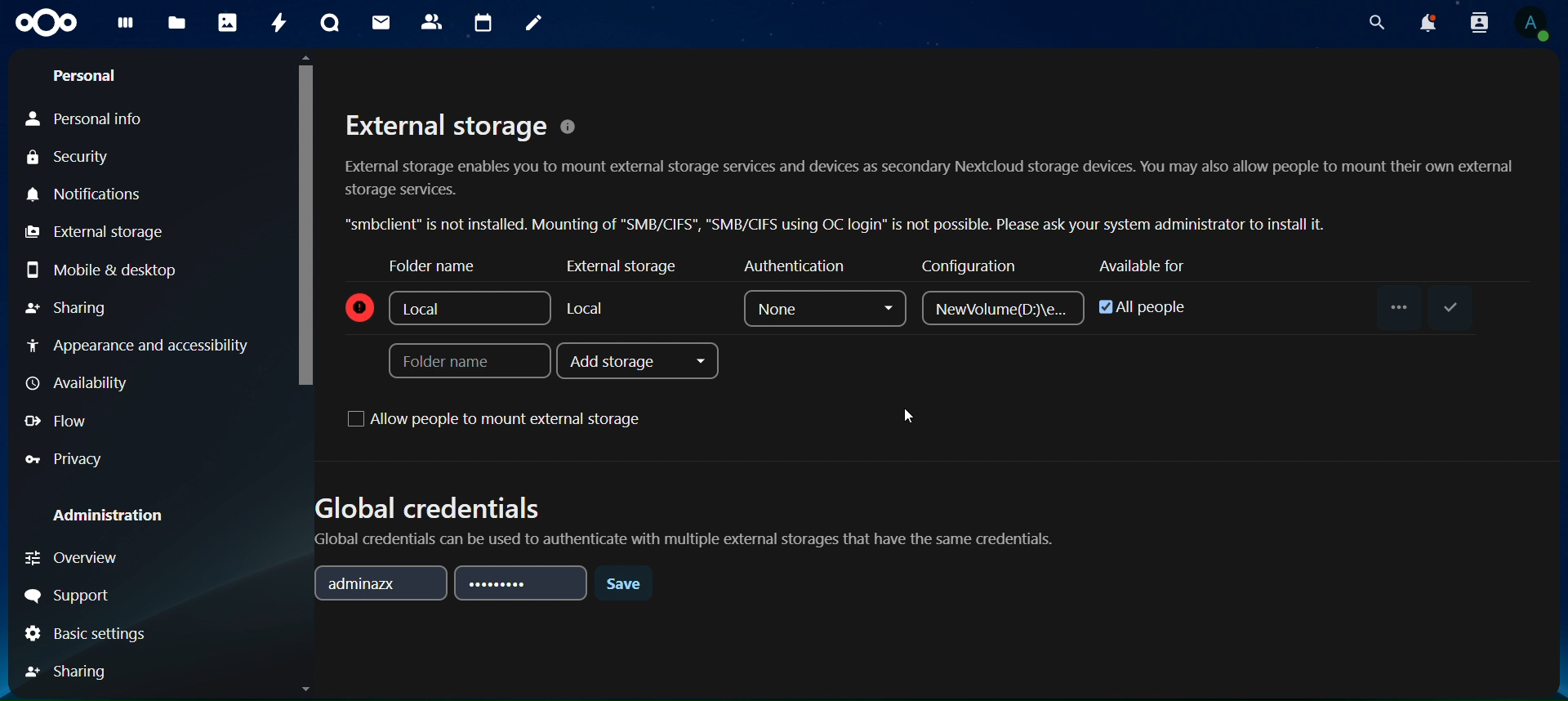  Describe the element at coordinates (1530, 25) in the screenshot. I see `view profile` at that location.